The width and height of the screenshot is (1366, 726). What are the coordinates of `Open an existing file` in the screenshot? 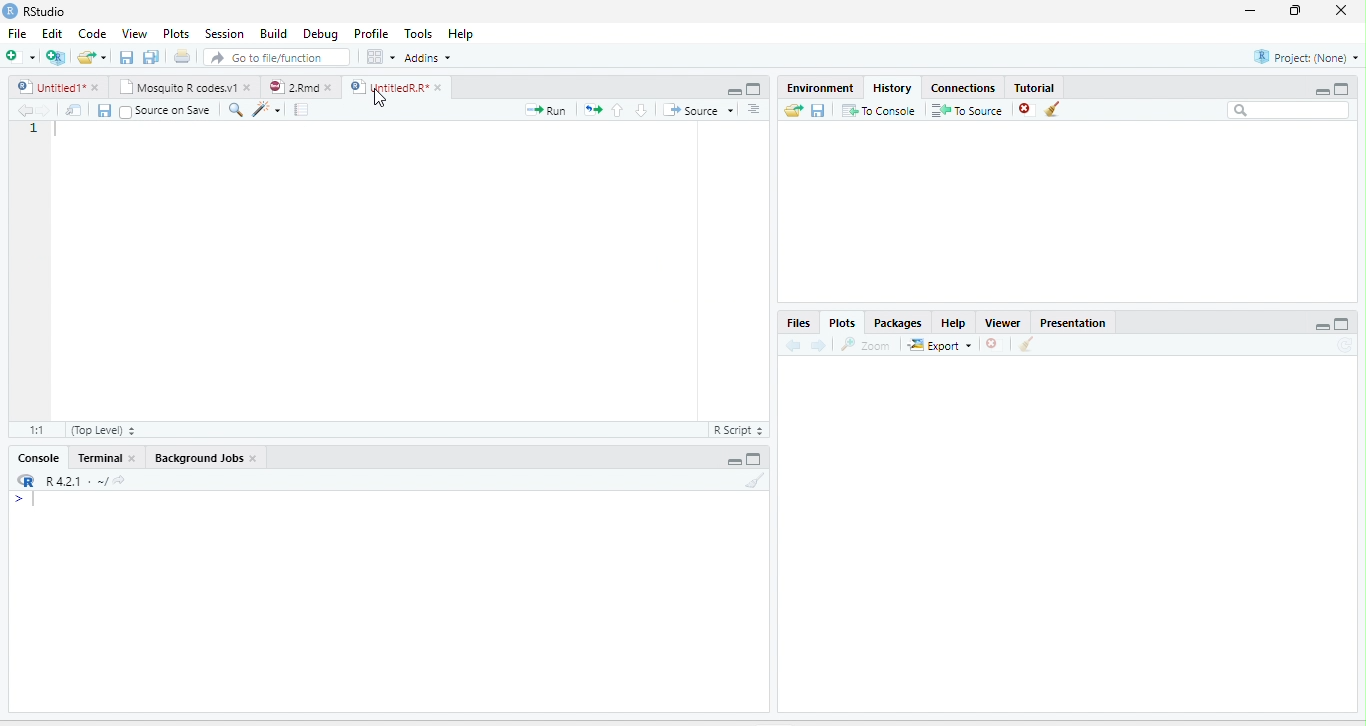 It's located at (86, 56).